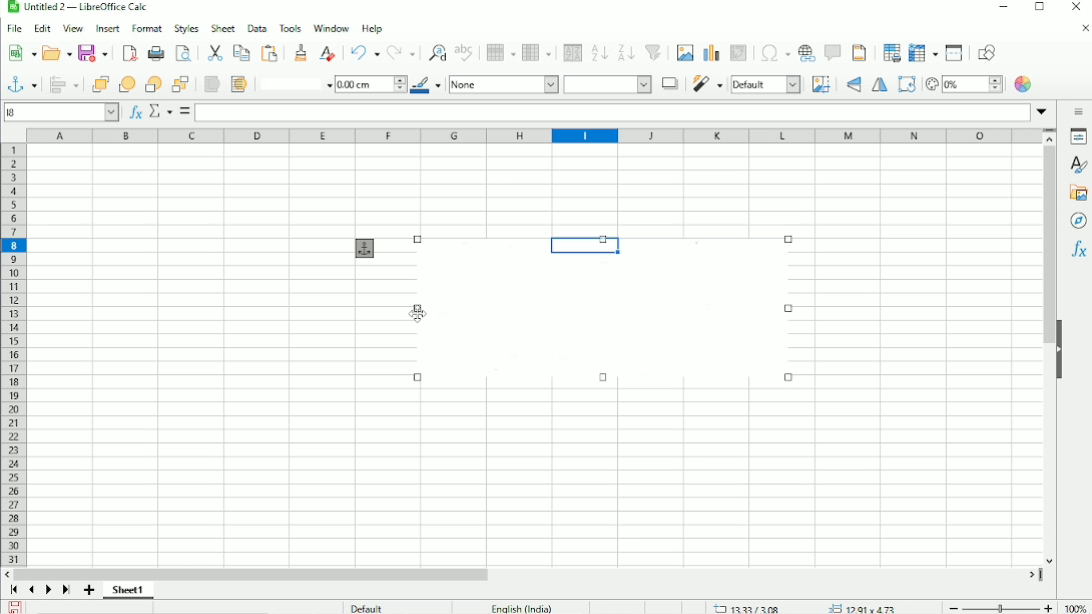  Describe the element at coordinates (364, 53) in the screenshot. I see `Undo` at that location.